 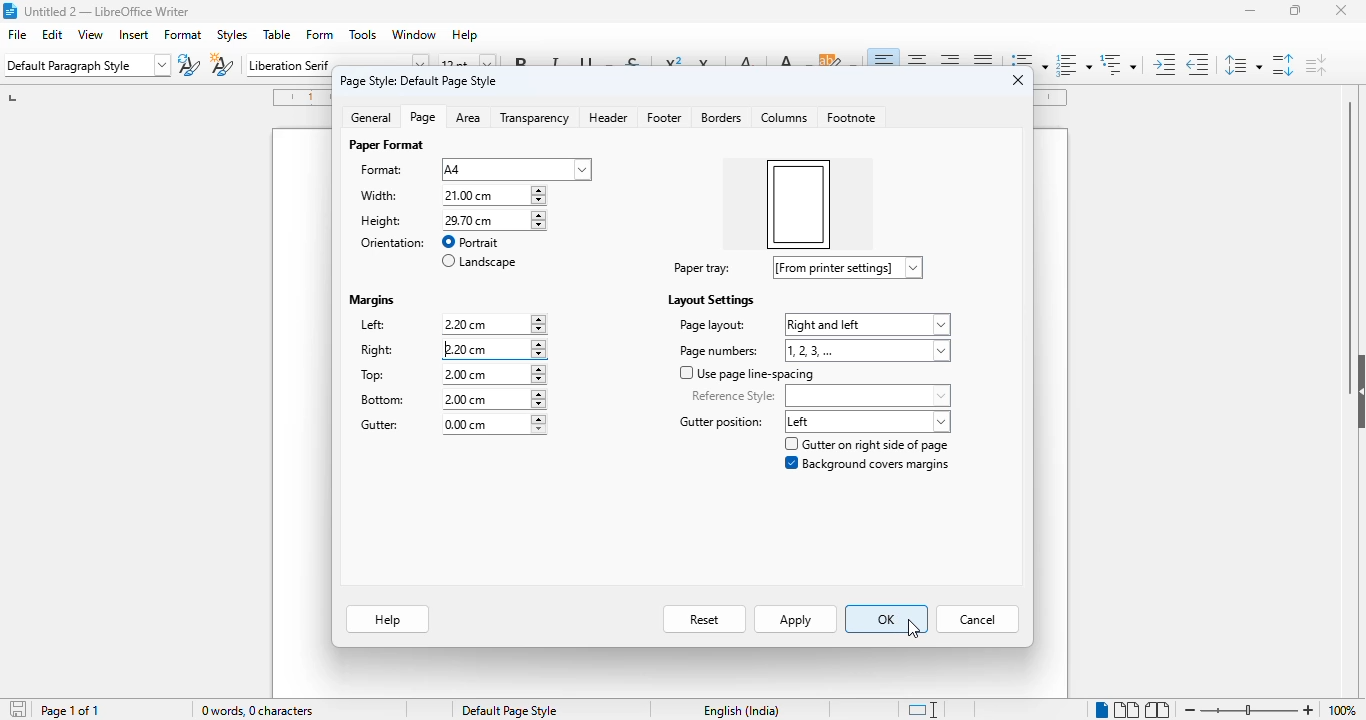 I want to click on table, so click(x=278, y=34).